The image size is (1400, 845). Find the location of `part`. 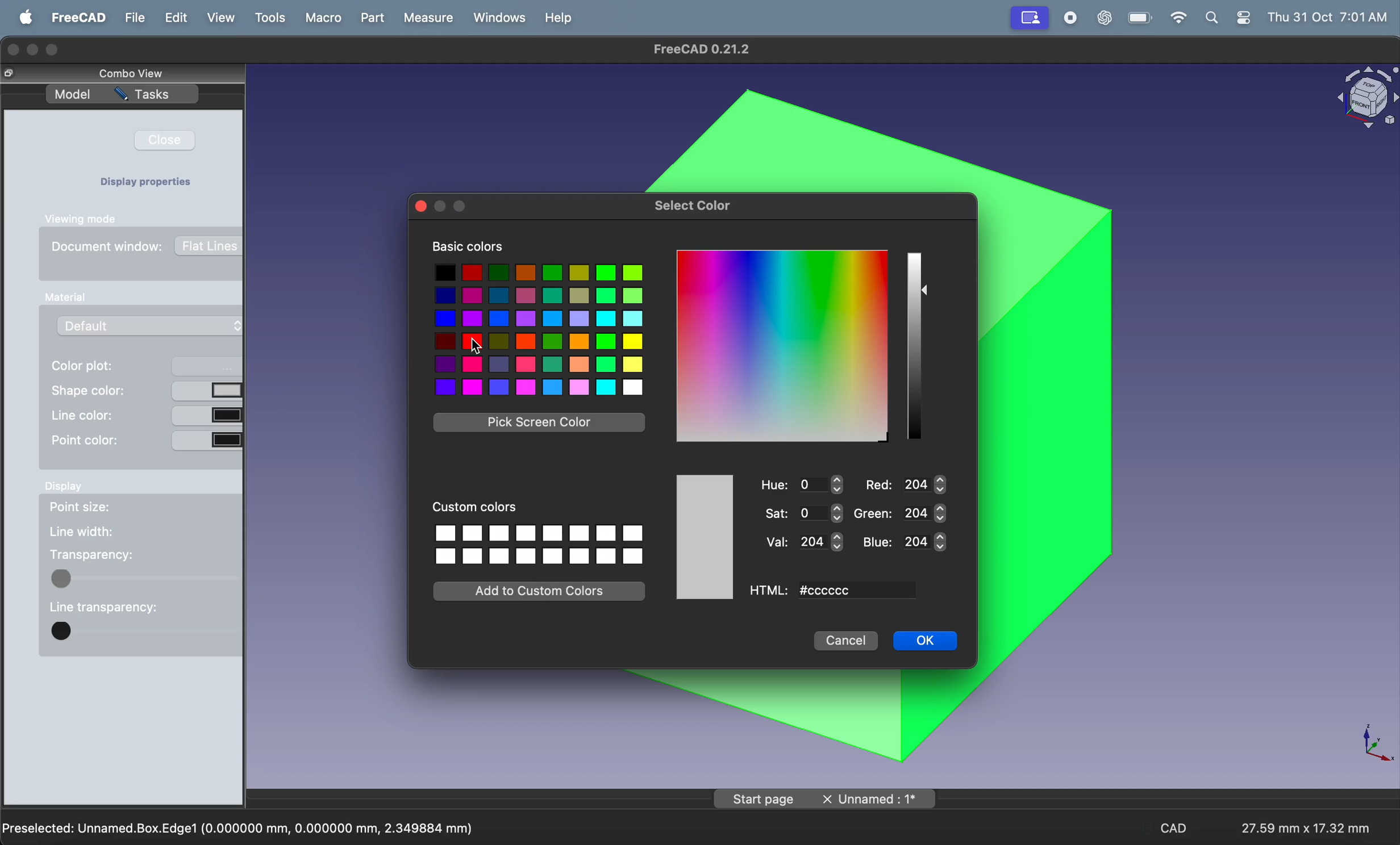

part is located at coordinates (375, 19).